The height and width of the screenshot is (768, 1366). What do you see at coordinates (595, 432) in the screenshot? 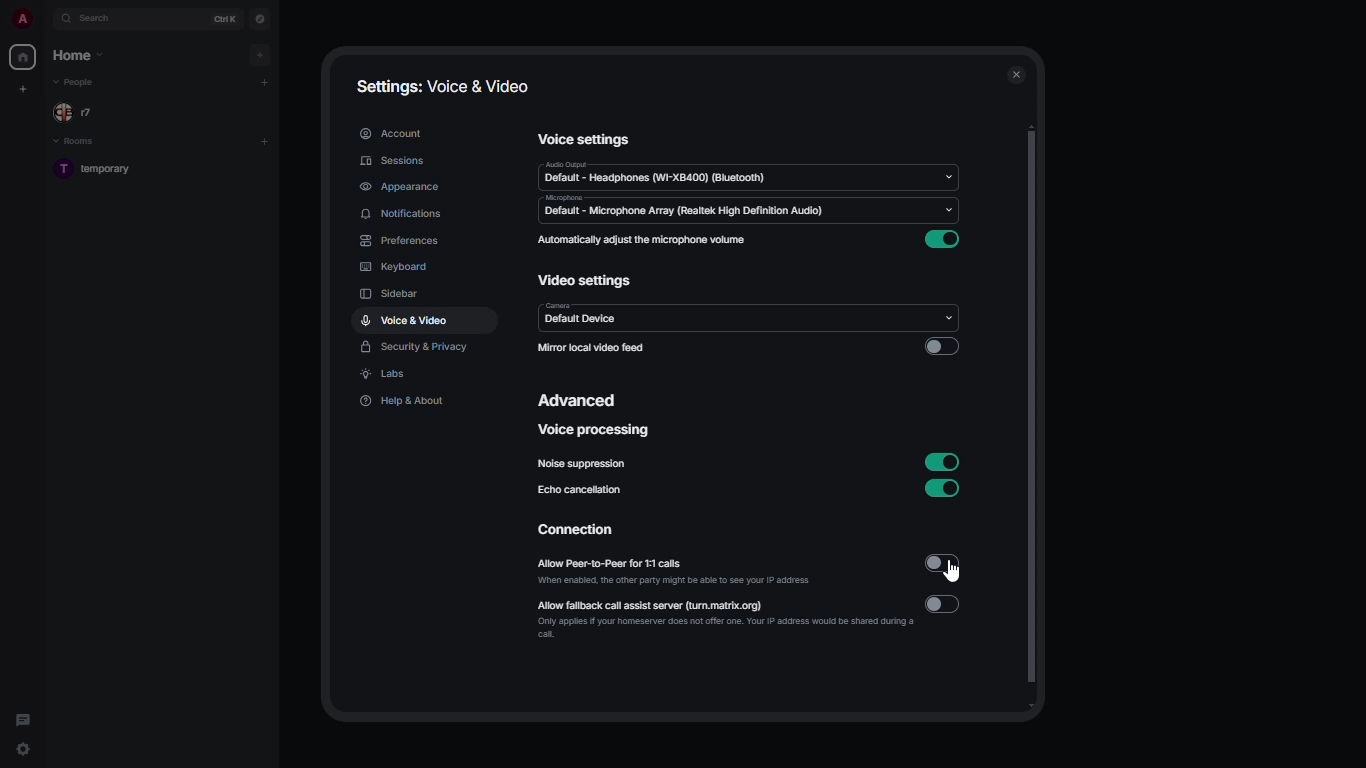
I see `voice processing` at bounding box center [595, 432].